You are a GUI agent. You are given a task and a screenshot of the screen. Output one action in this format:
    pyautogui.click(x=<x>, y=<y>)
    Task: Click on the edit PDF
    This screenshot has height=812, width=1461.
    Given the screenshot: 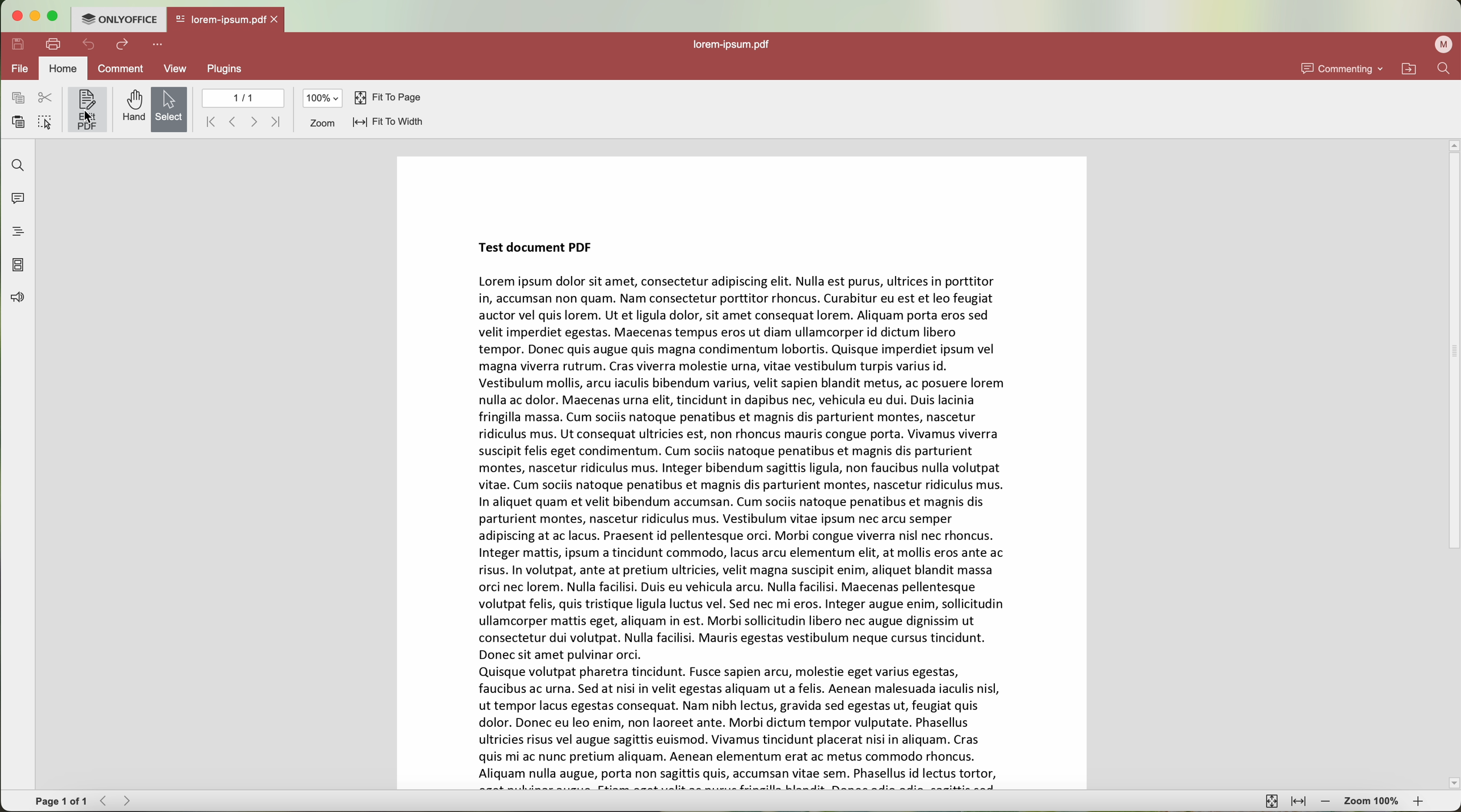 What is the action you would take?
    pyautogui.click(x=87, y=109)
    